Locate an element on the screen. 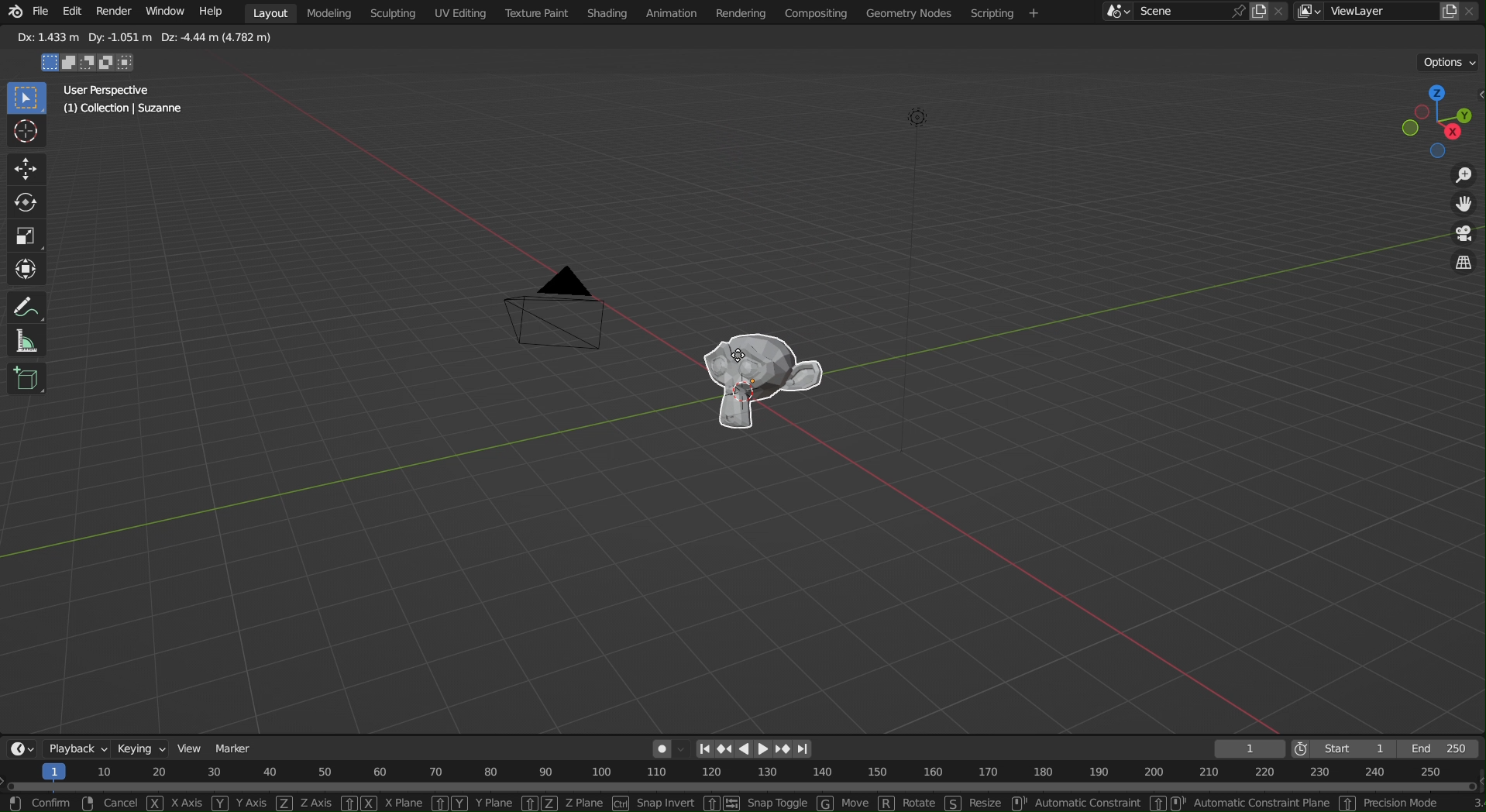 Image resolution: width=1486 pixels, height=812 pixels. R is located at coordinates (887, 803).